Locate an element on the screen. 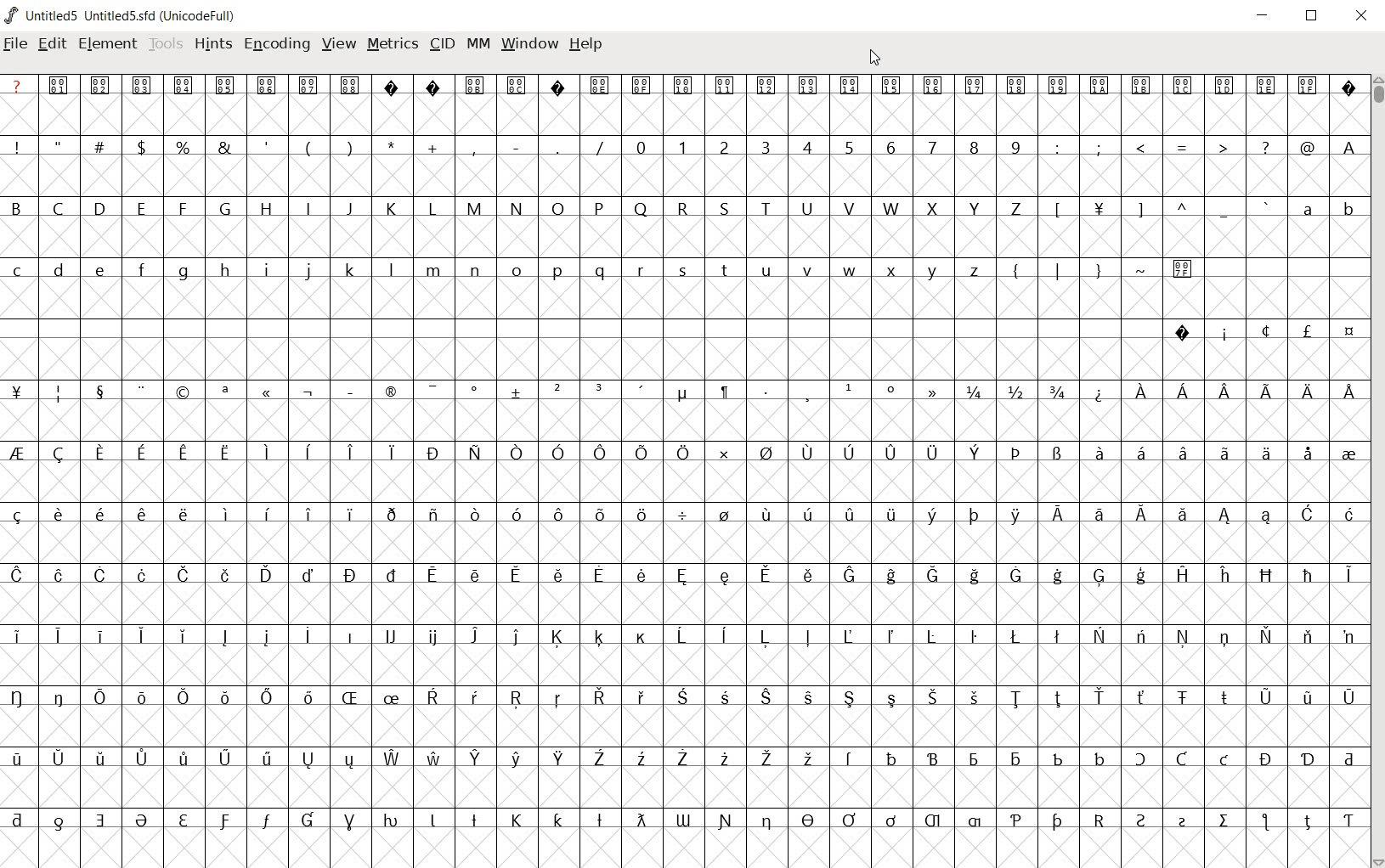  Symbol is located at coordinates (1347, 635).